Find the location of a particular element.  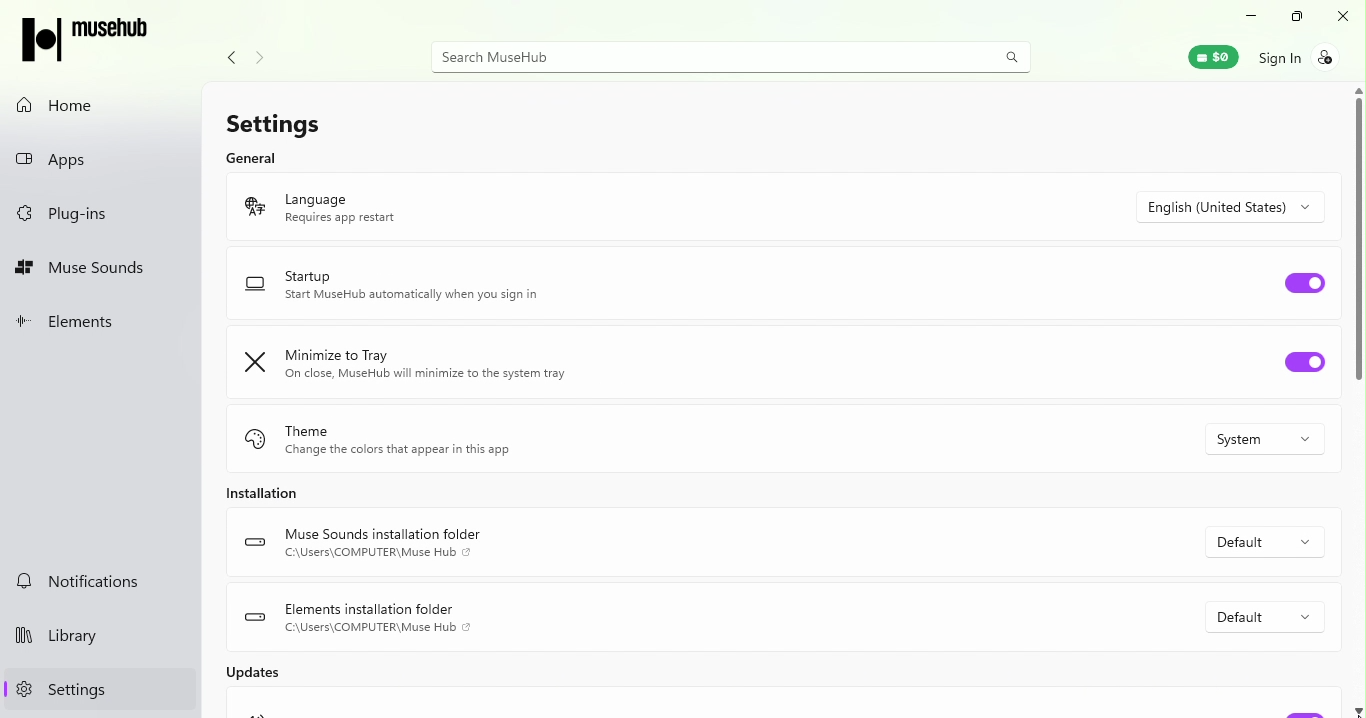

Drop down is located at coordinates (1272, 539).